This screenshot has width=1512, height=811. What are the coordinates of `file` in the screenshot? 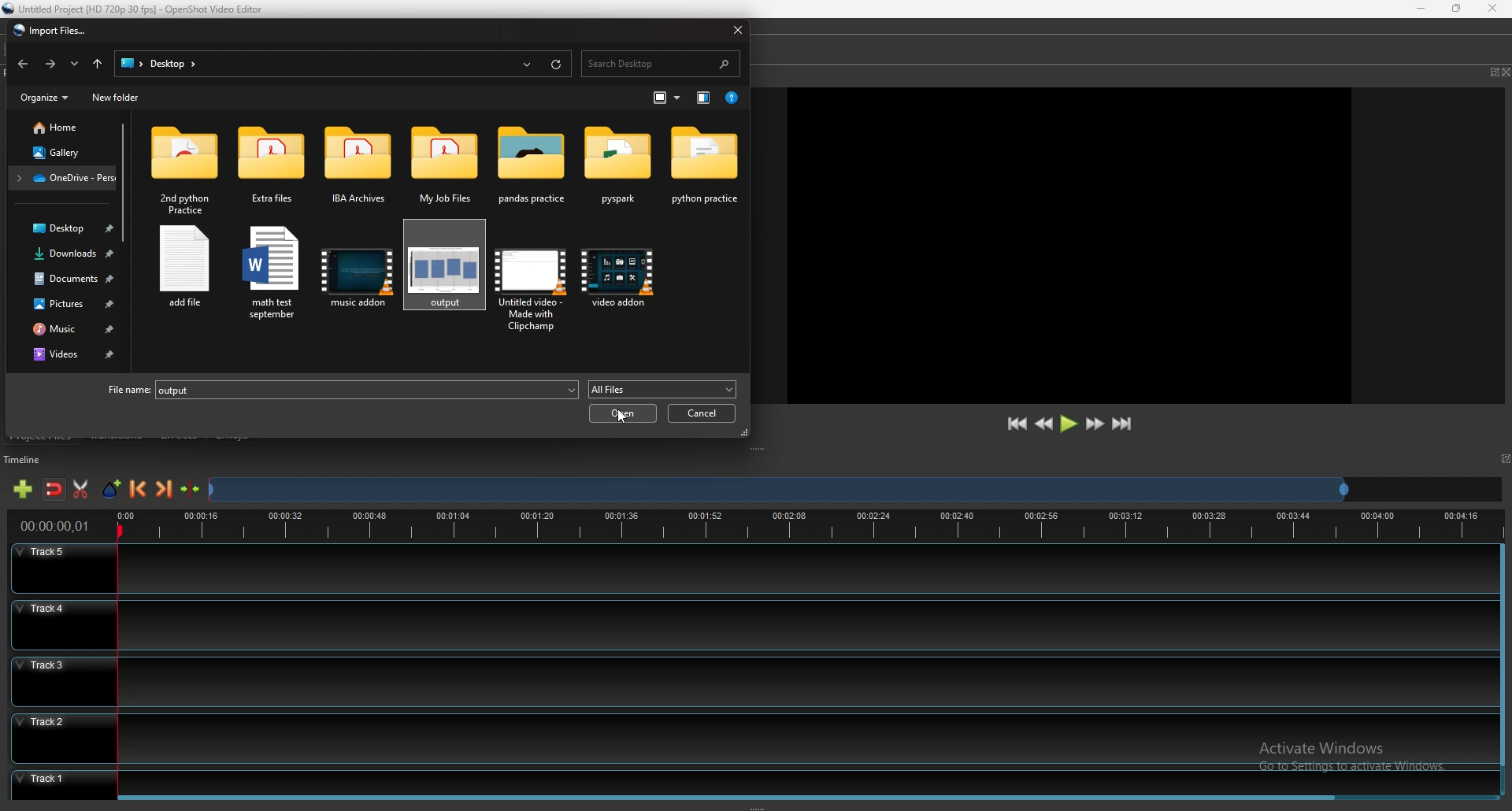 It's located at (613, 279).